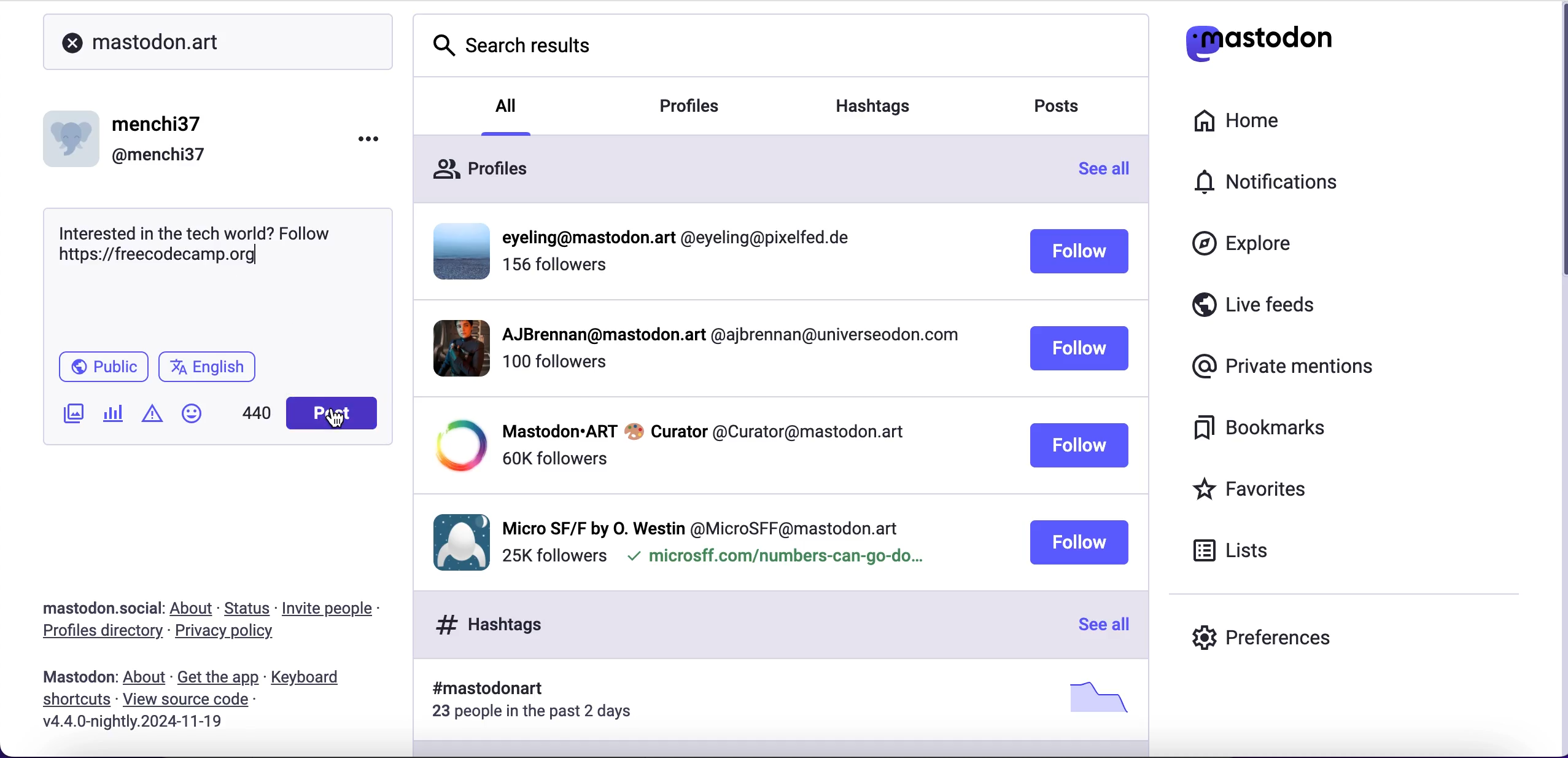 This screenshot has width=1568, height=758. Describe the element at coordinates (206, 244) in the screenshot. I see `post text` at that location.